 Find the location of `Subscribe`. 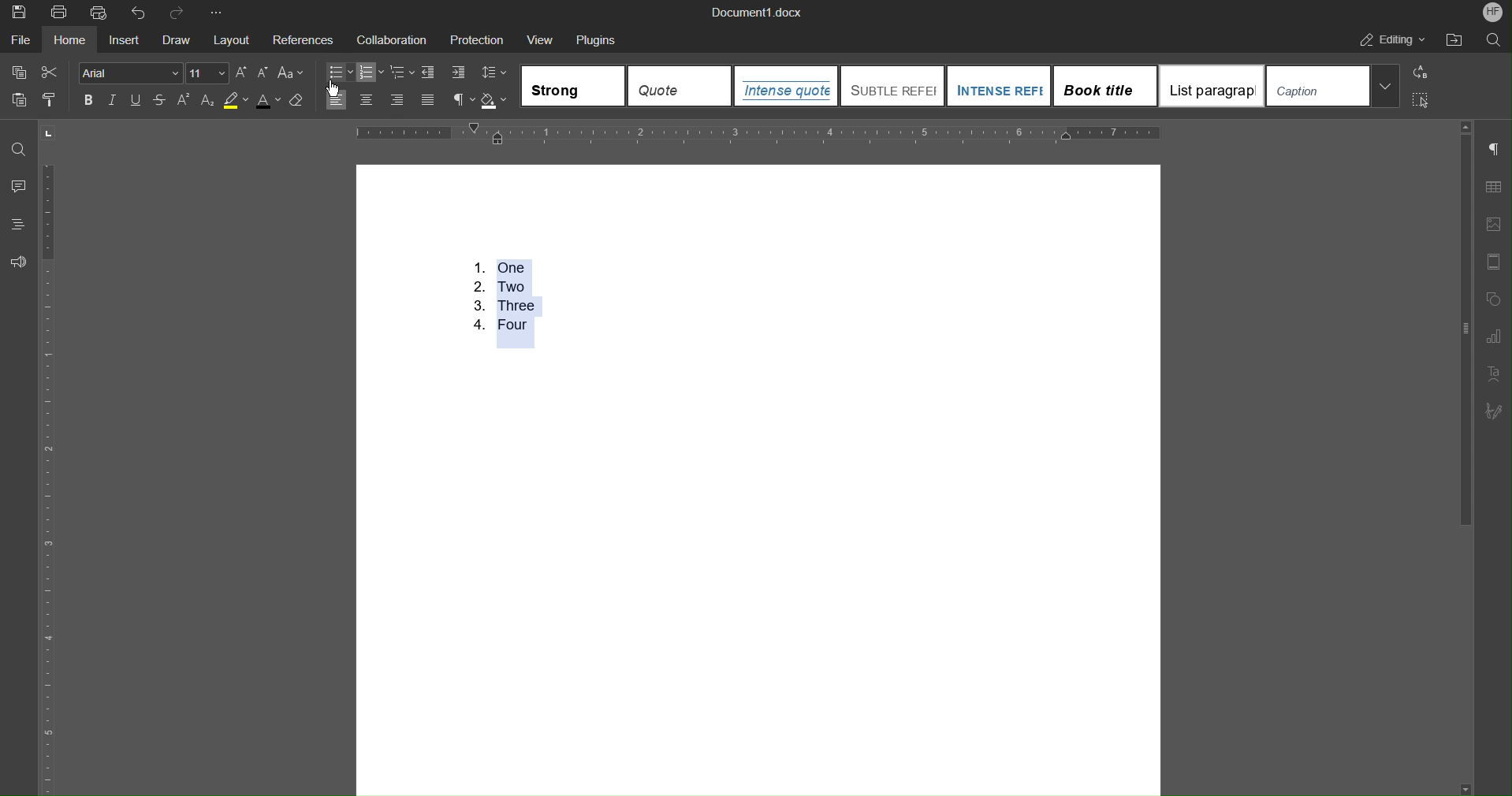

Subscribe is located at coordinates (1493, 413).